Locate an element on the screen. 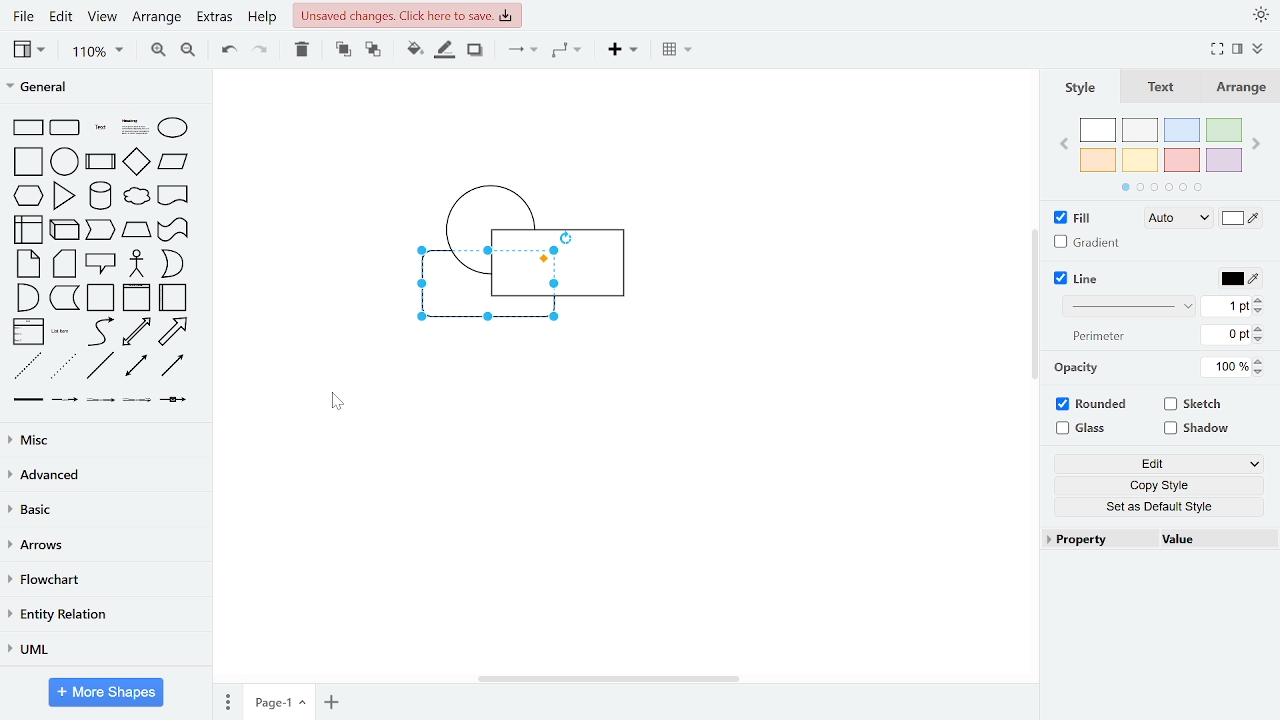 The height and width of the screenshot is (720, 1280). fill line is located at coordinates (446, 51).